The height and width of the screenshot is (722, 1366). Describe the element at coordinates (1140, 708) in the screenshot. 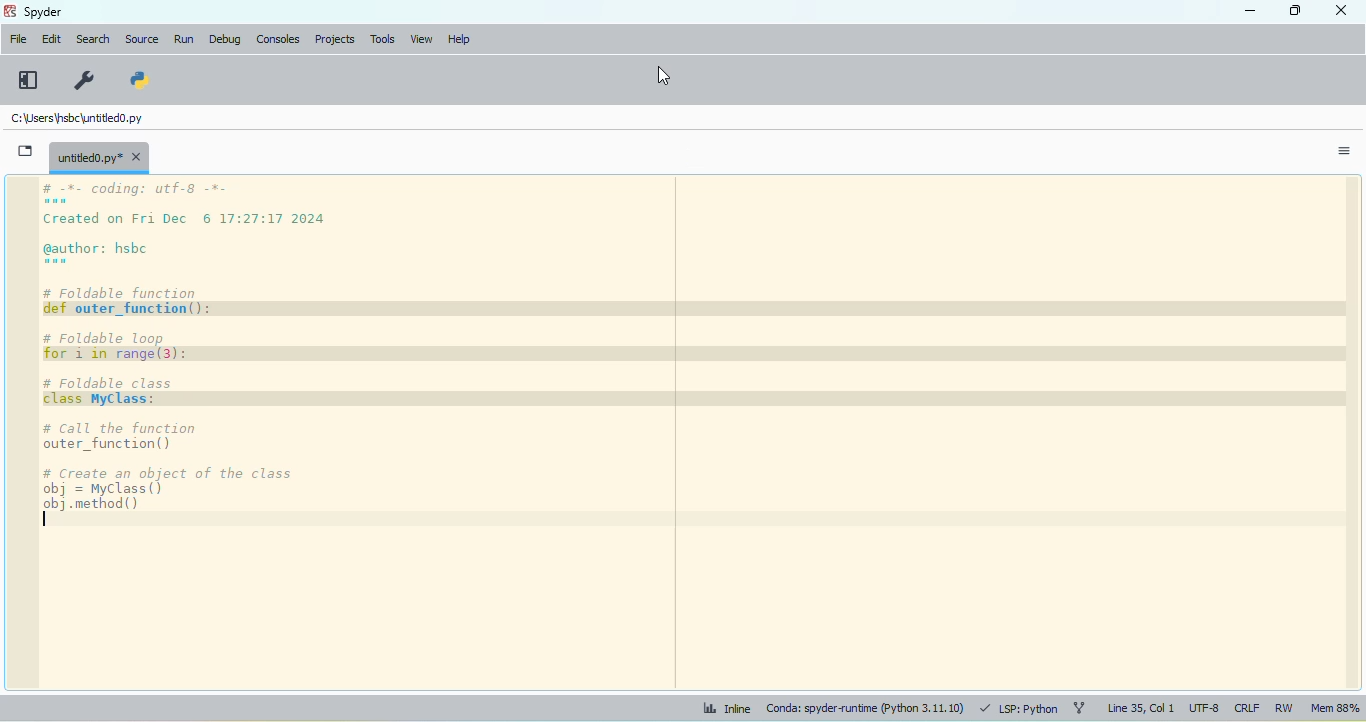

I see `line 35, col 1` at that location.